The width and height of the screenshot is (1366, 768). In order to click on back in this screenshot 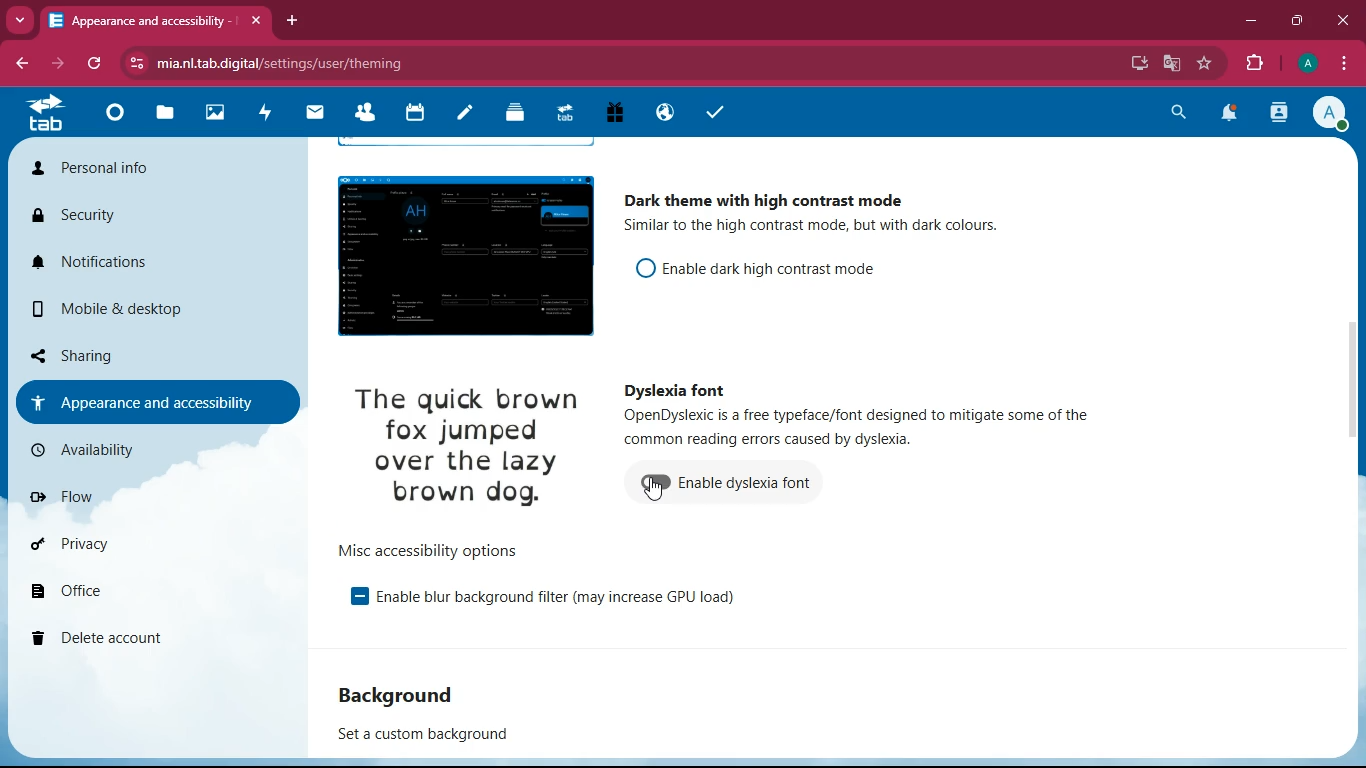, I will do `click(21, 65)`.